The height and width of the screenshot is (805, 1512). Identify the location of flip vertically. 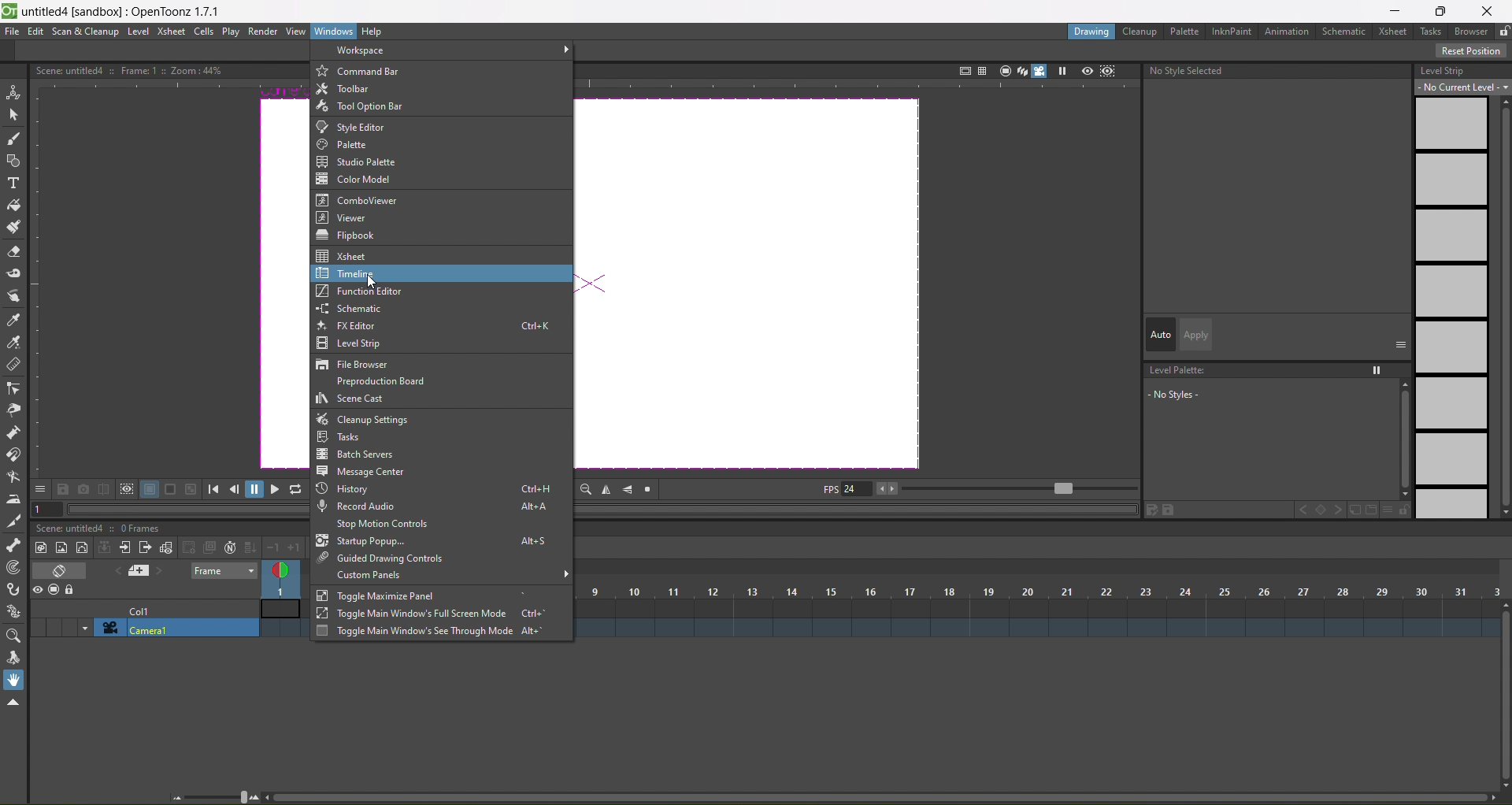
(630, 488).